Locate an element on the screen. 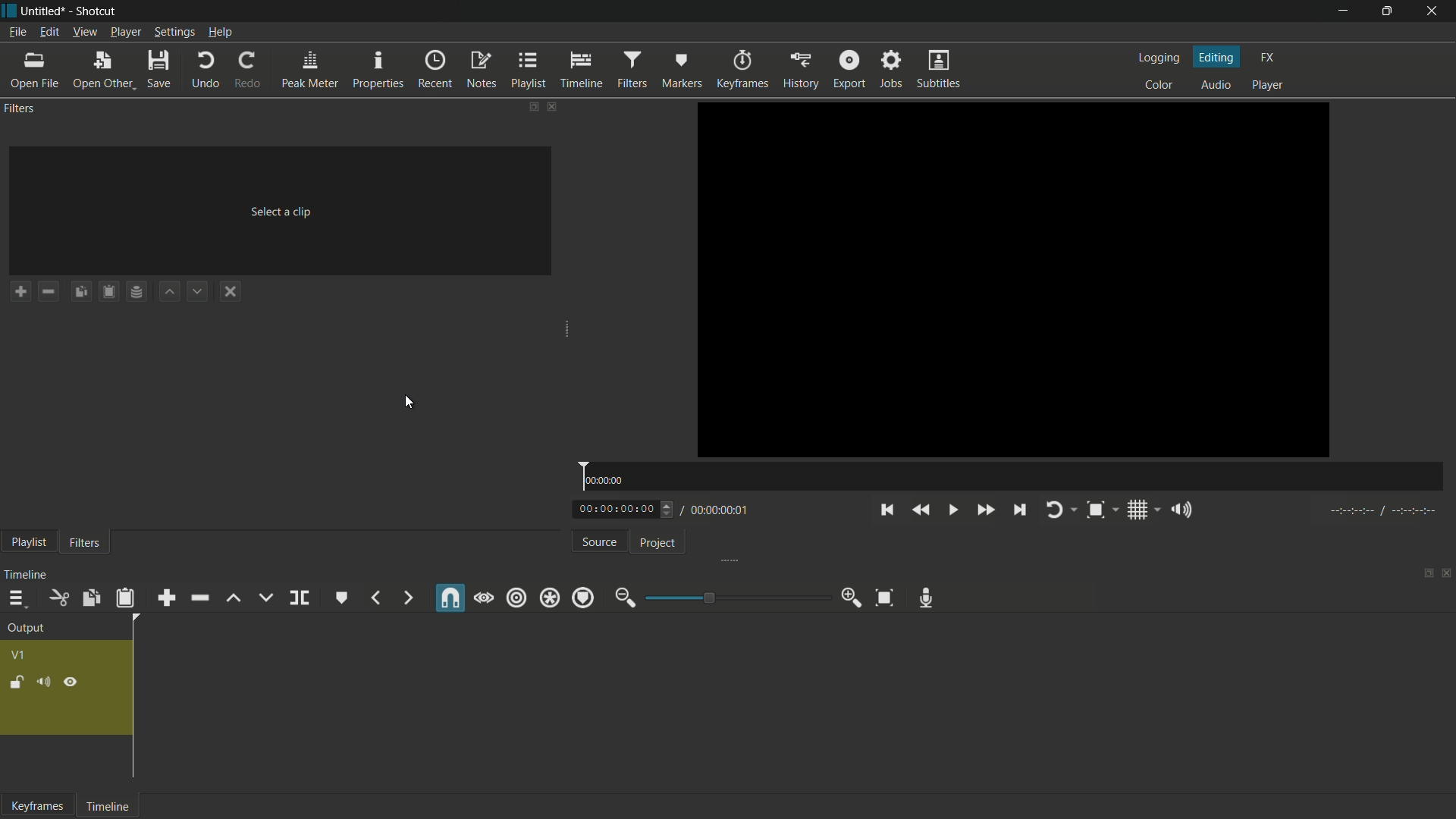 This screenshot has width=1456, height=819. fx is located at coordinates (1268, 58).